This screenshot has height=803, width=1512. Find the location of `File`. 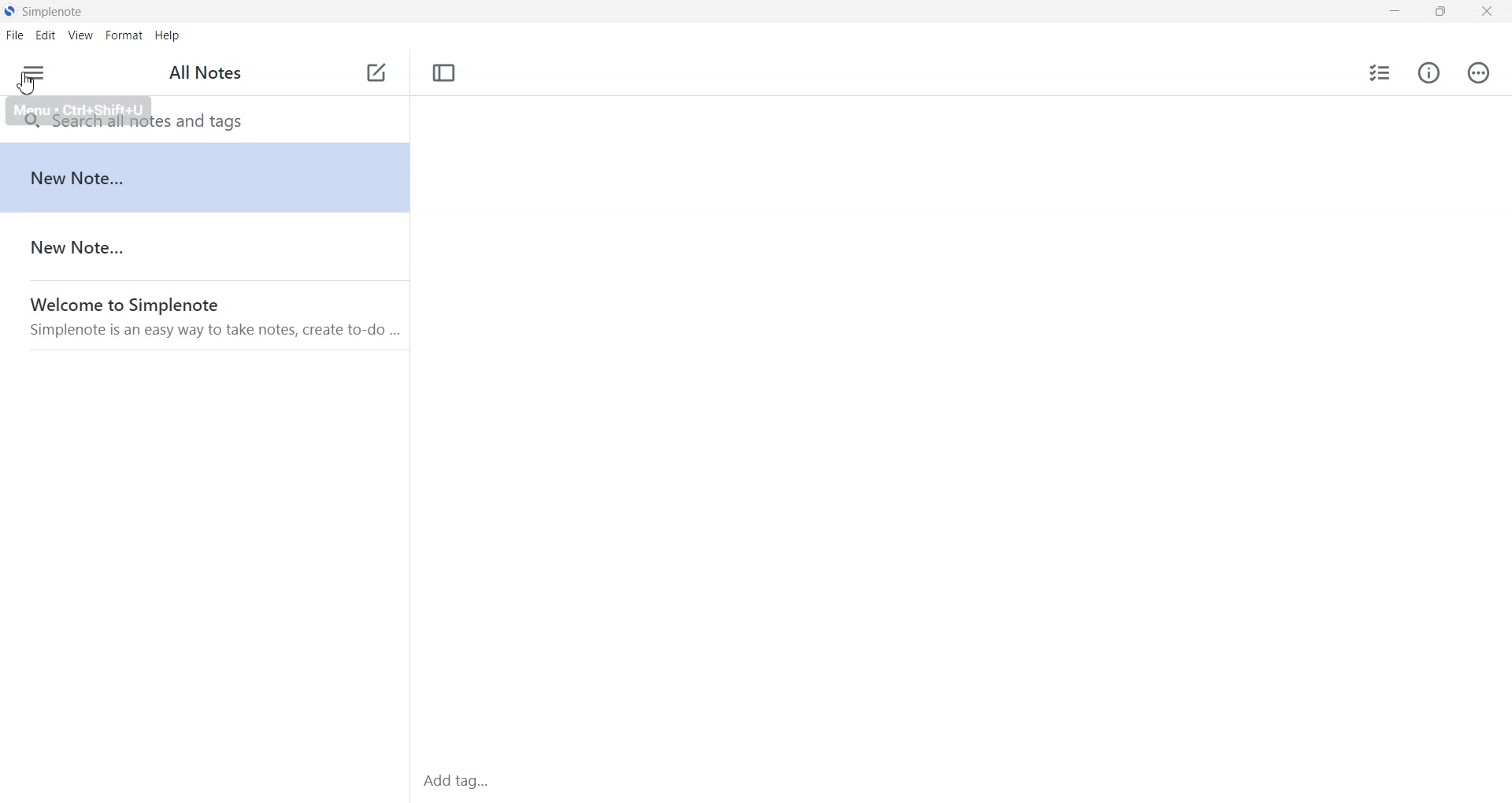

File is located at coordinates (17, 35).